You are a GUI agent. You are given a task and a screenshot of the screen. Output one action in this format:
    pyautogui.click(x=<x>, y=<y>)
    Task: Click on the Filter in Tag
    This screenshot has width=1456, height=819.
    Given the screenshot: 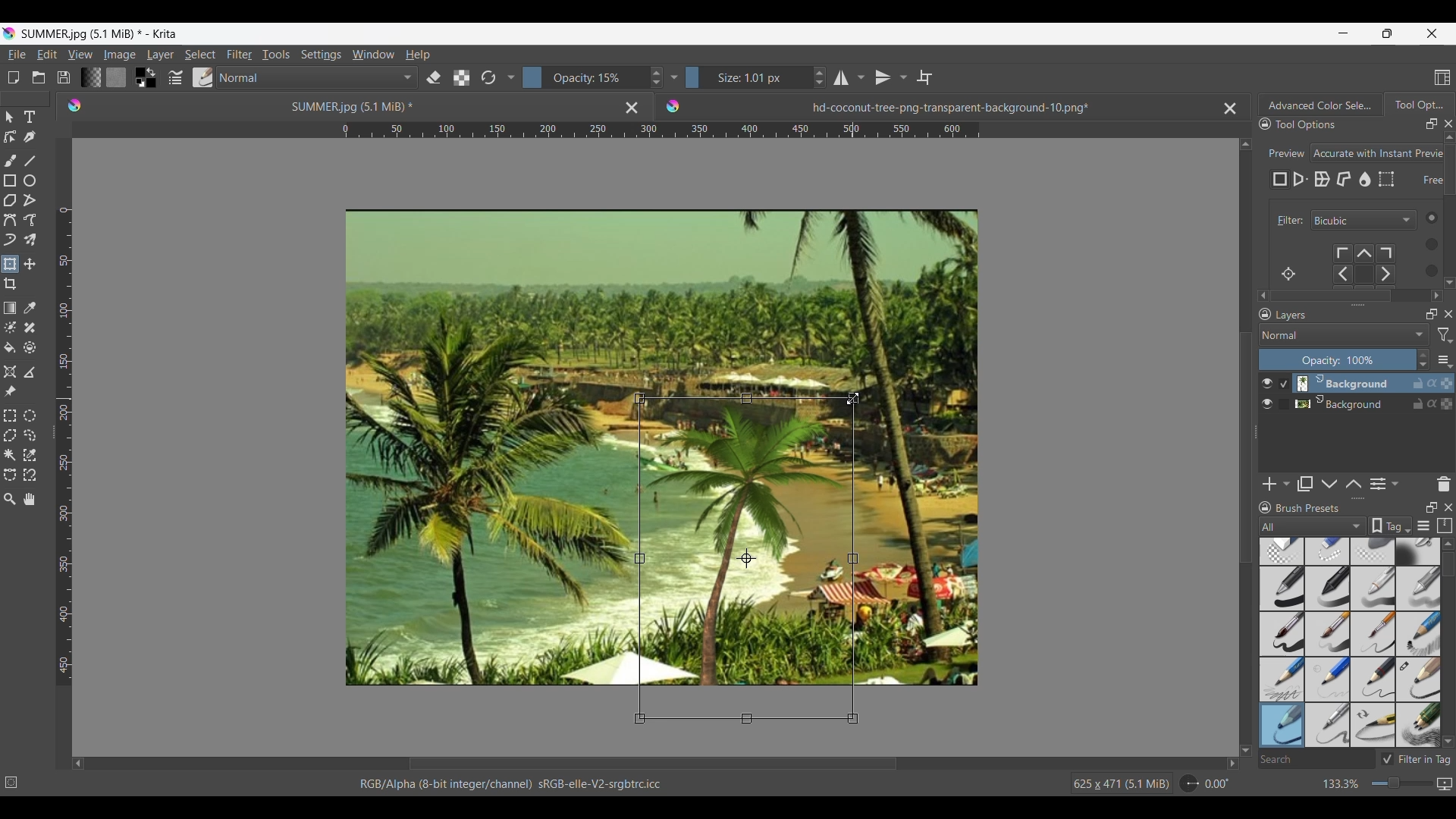 What is the action you would take?
    pyautogui.click(x=1418, y=759)
    